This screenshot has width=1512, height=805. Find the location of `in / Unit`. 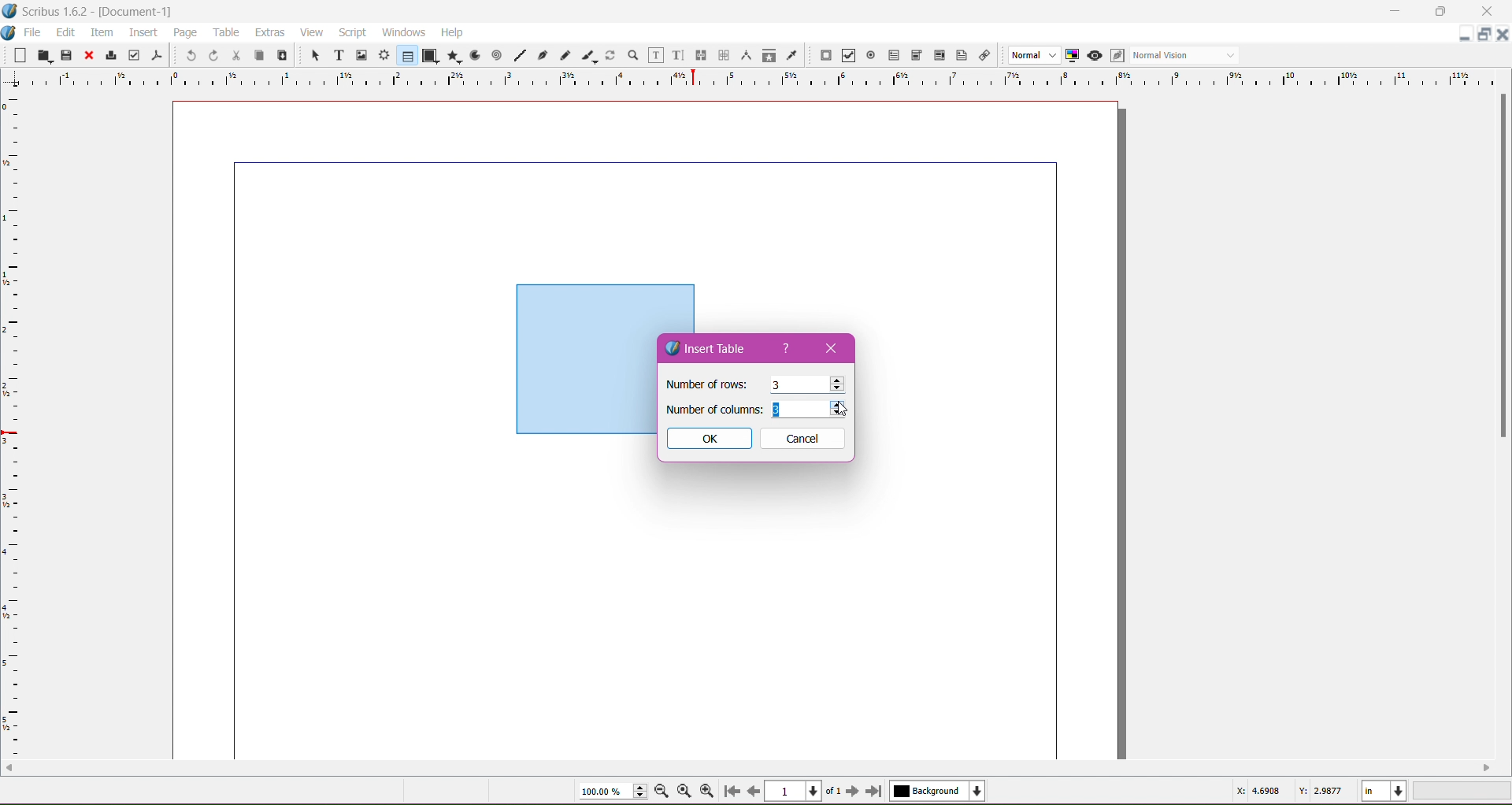

in / Unit is located at coordinates (1385, 788).